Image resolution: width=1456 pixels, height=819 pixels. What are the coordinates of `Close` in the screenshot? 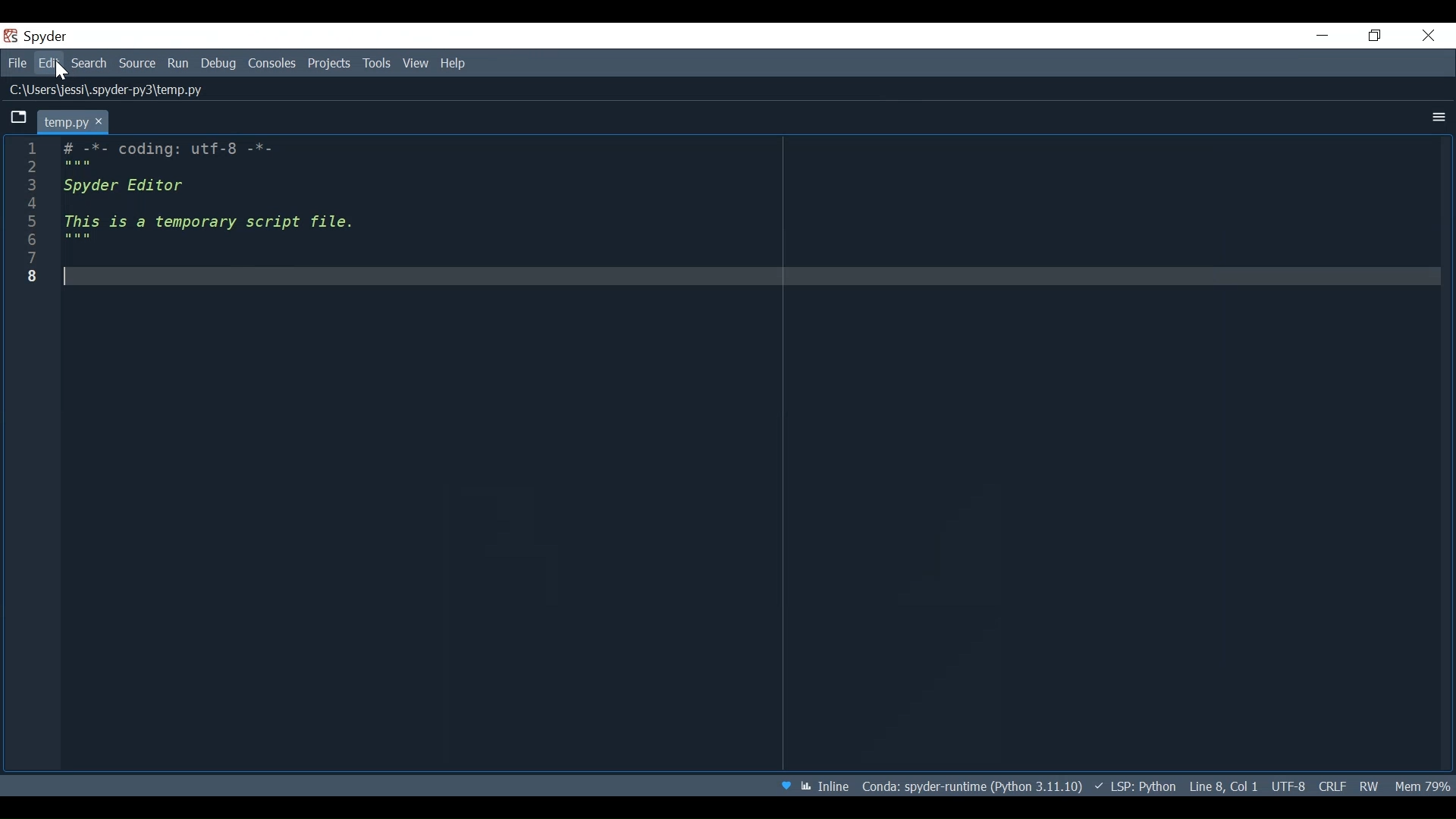 It's located at (1428, 36).